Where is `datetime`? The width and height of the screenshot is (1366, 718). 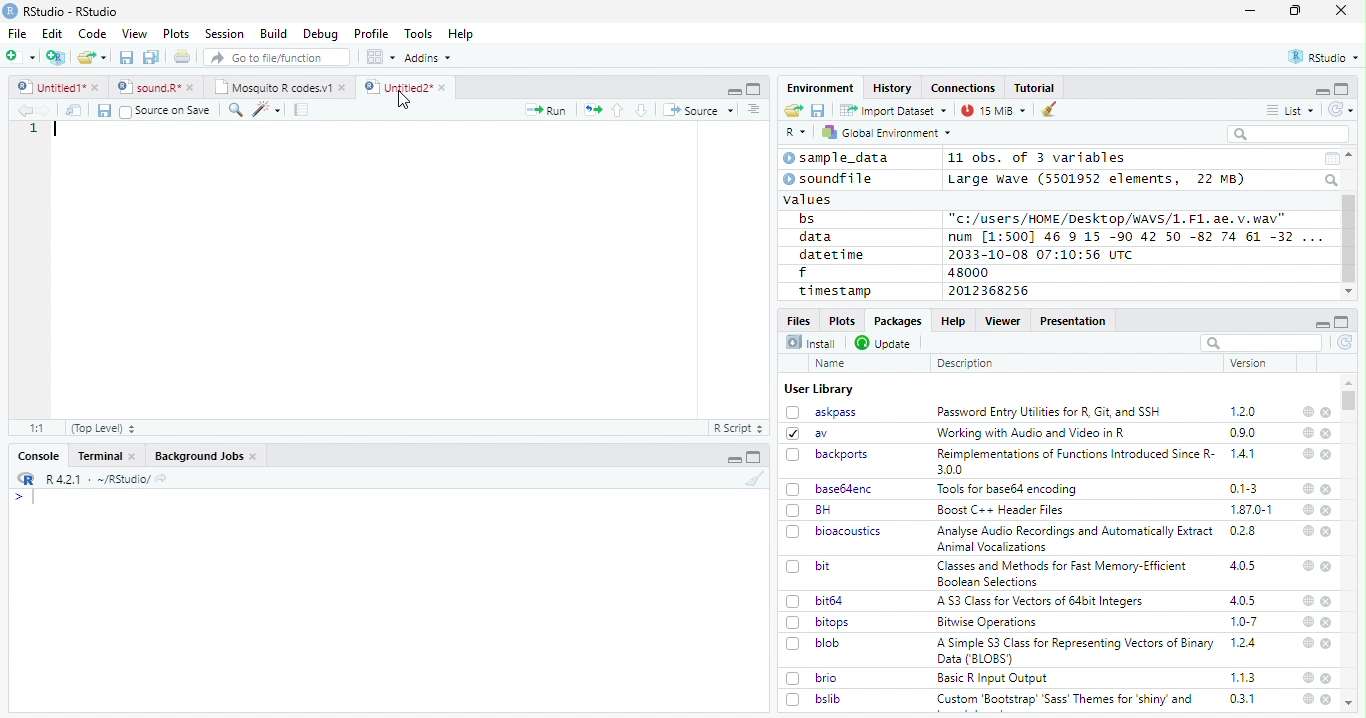
datetime is located at coordinates (831, 254).